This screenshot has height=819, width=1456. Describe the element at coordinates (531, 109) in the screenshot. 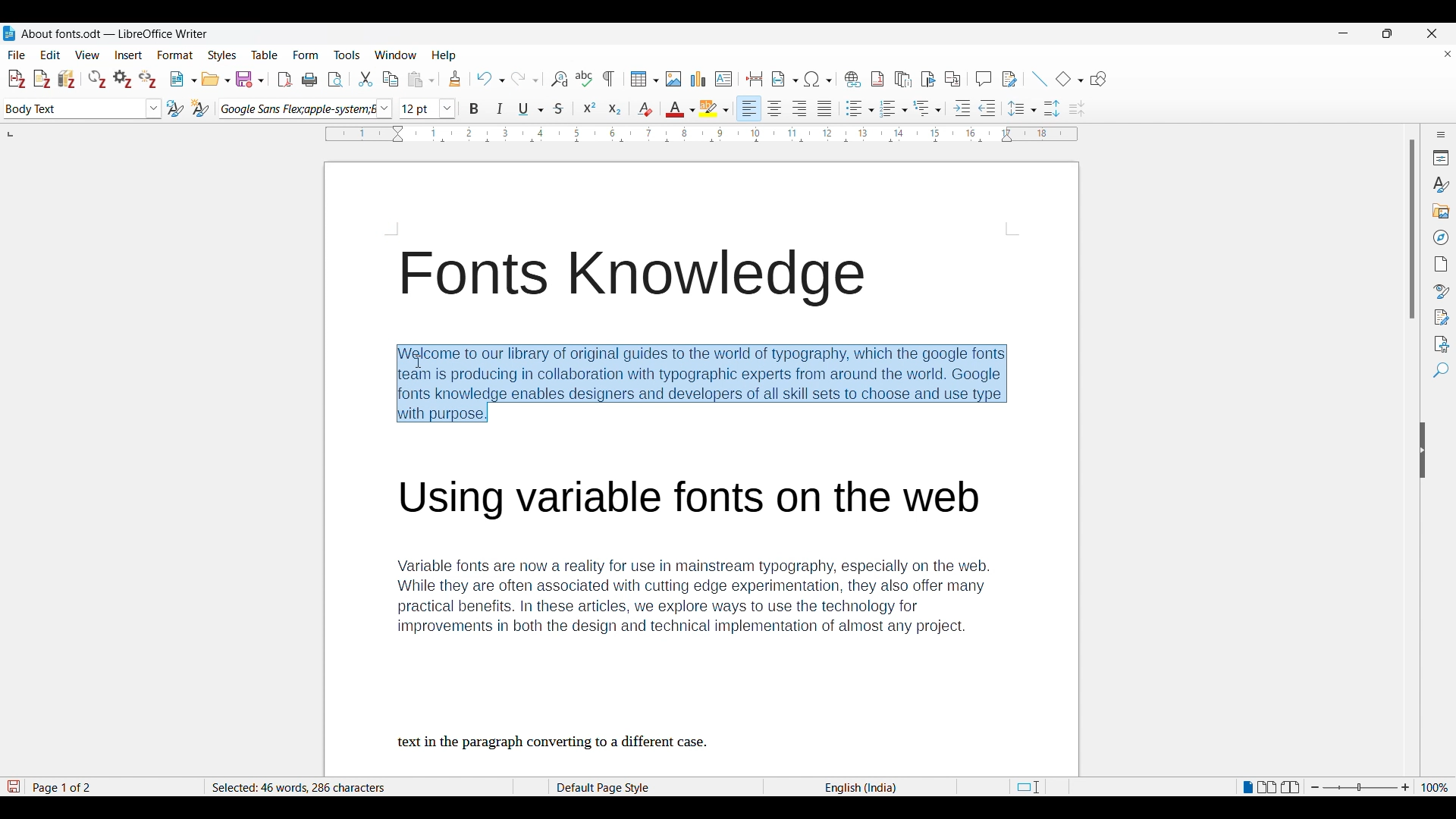

I see `Underline options` at that location.